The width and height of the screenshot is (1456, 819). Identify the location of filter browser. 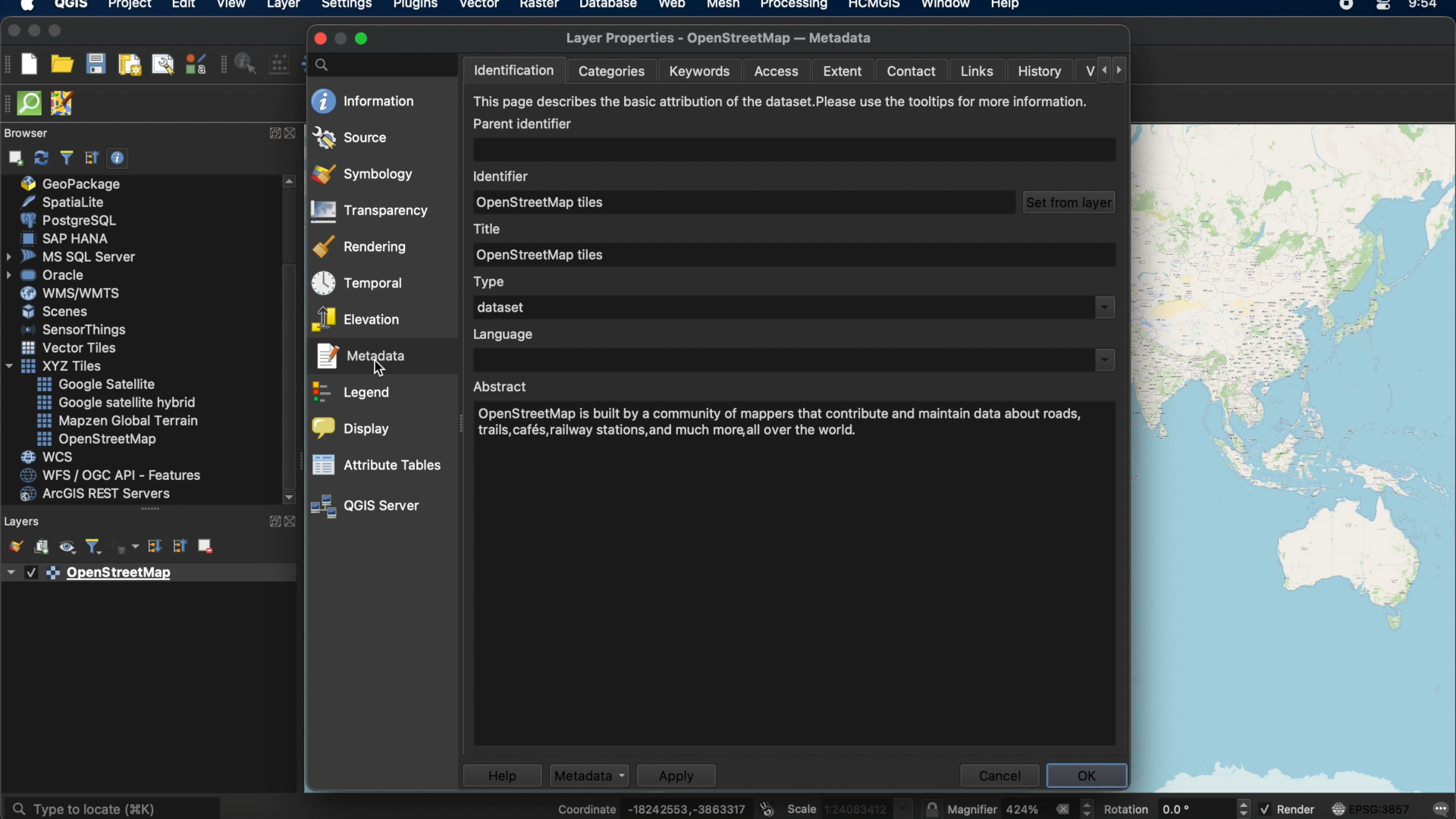
(66, 158).